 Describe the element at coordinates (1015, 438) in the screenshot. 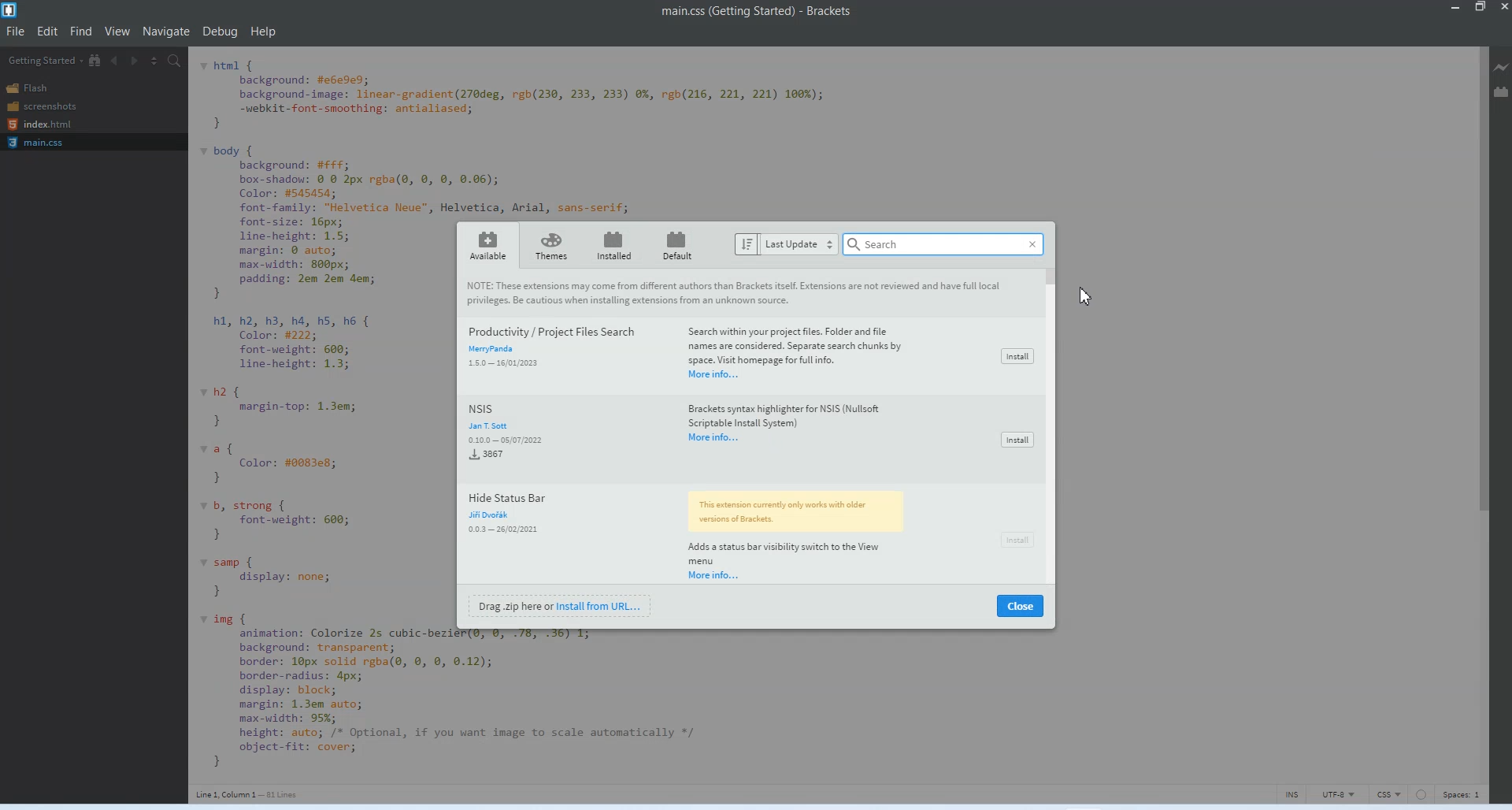

I see `Install` at that location.